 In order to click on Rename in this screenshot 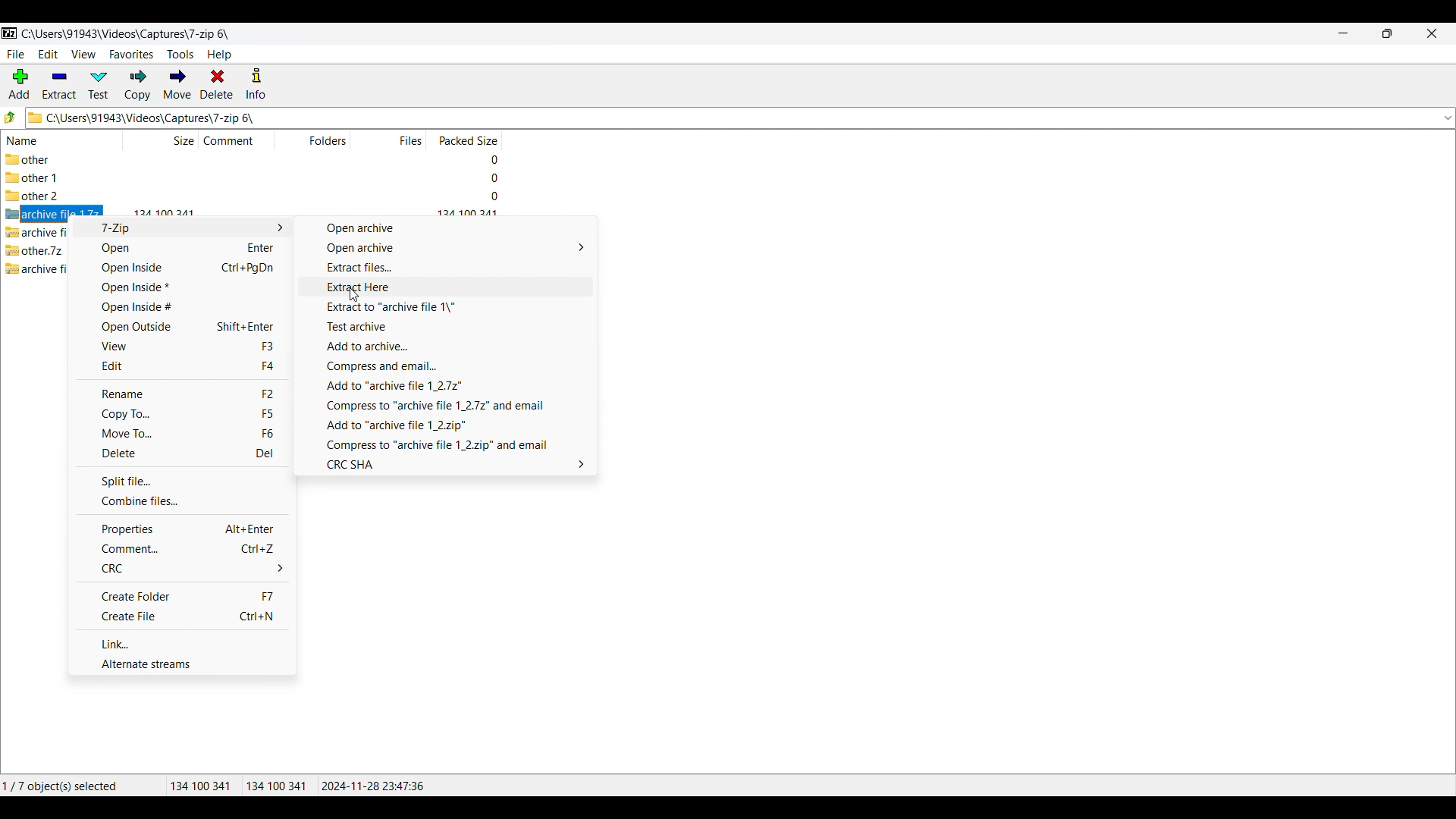, I will do `click(180, 394)`.